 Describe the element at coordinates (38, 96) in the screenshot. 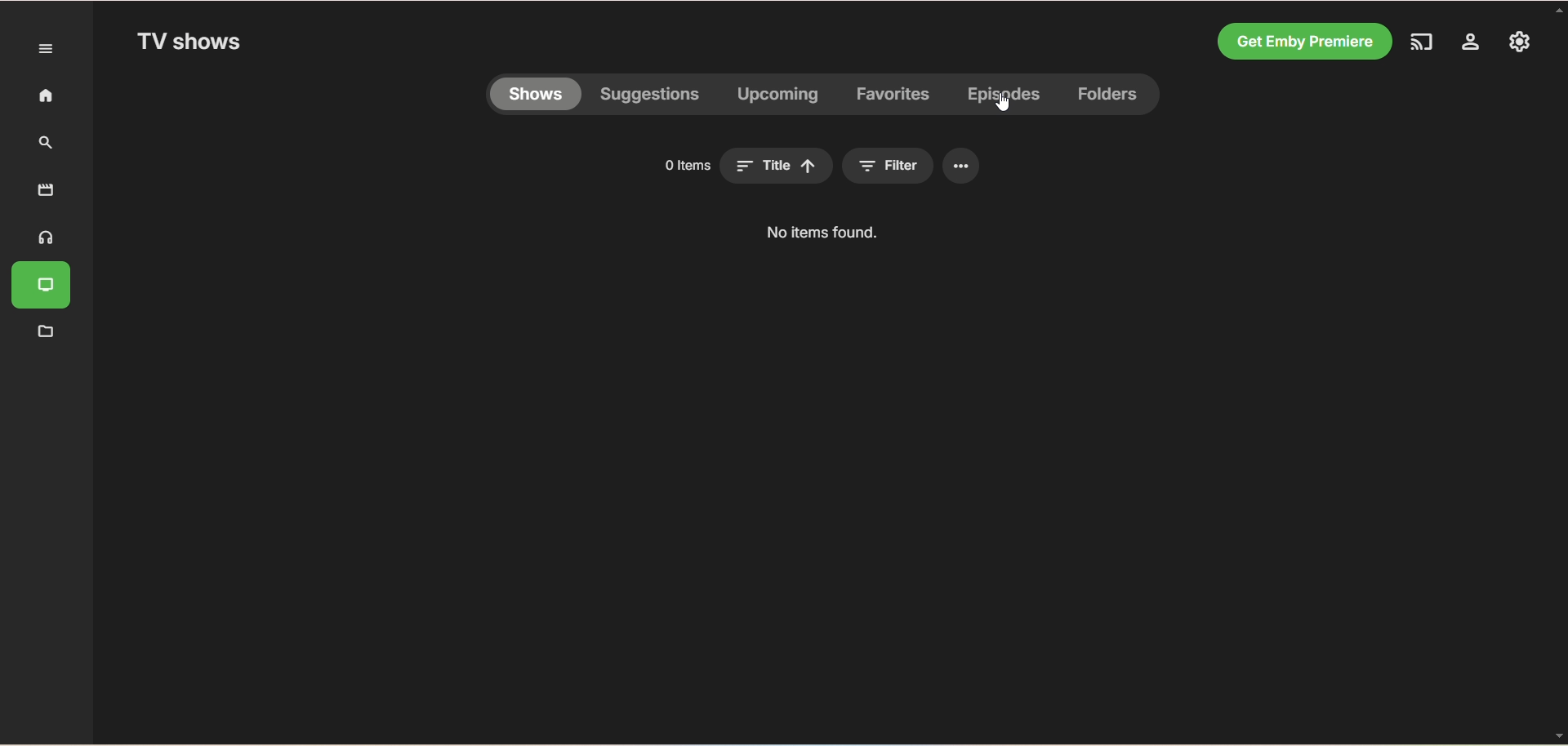

I see `home` at that location.